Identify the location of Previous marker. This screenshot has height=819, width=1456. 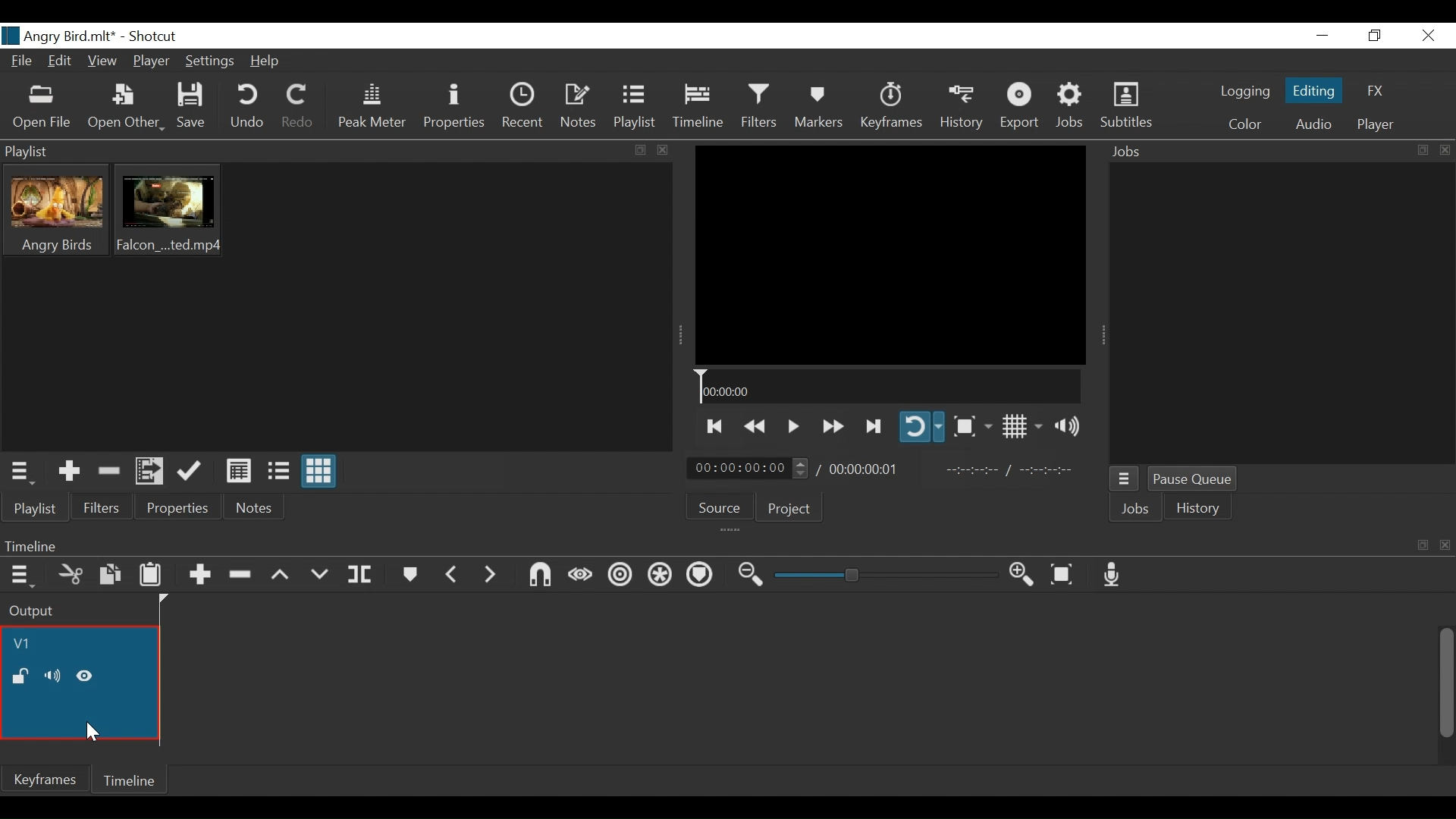
(453, 576).